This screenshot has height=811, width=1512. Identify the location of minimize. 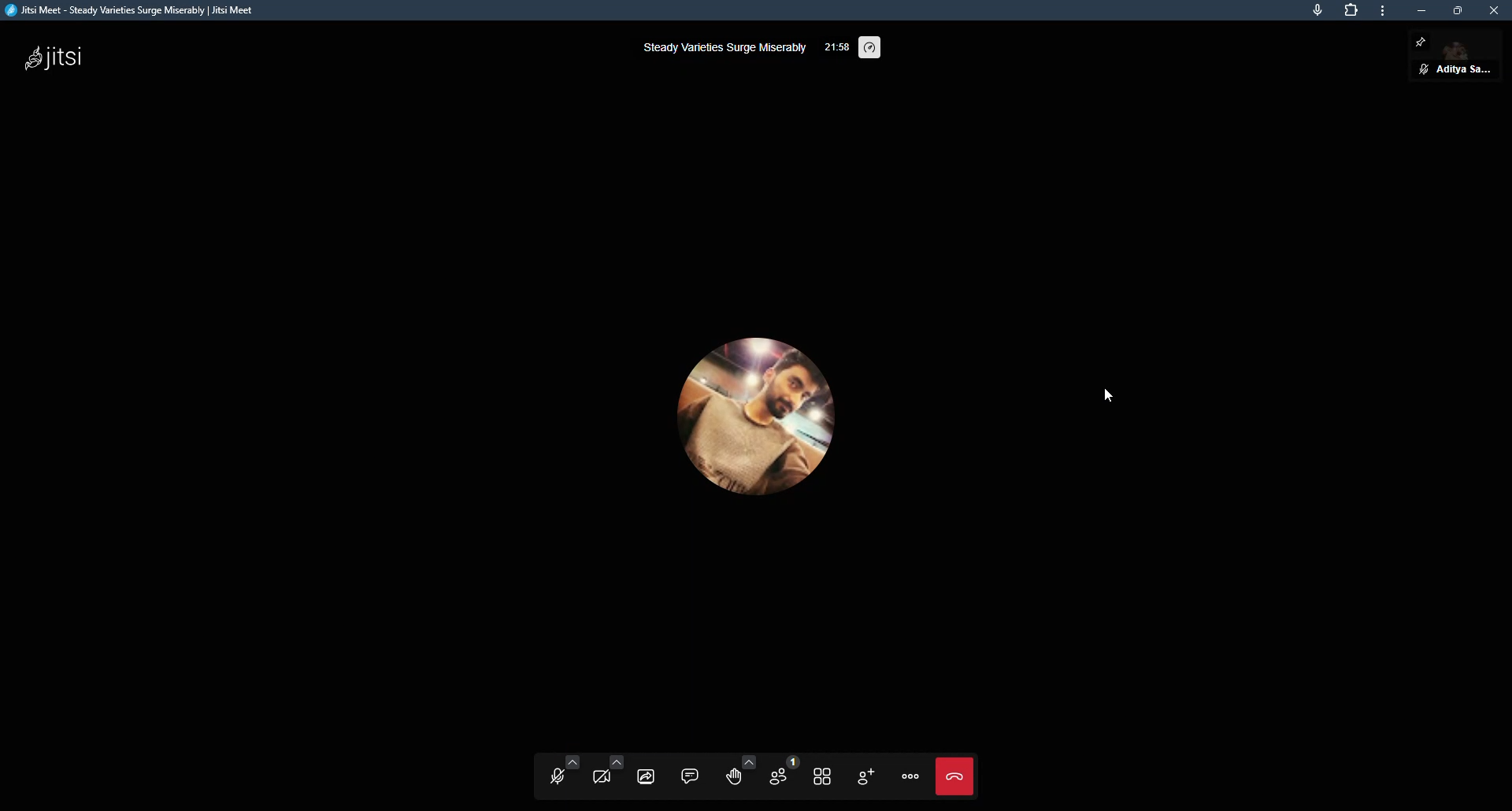
(1423, 10).